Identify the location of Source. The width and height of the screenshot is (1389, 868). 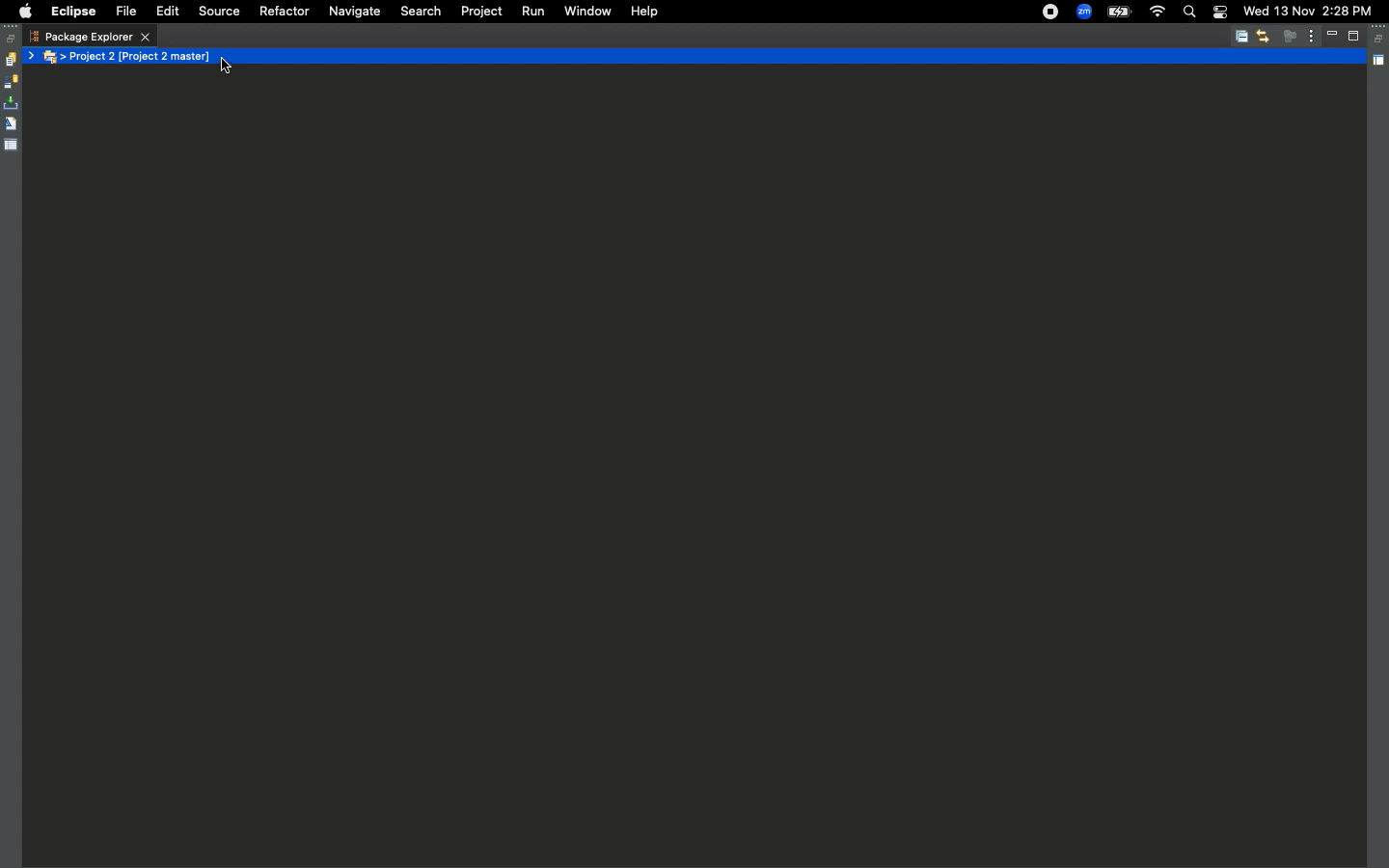
(216, 12).